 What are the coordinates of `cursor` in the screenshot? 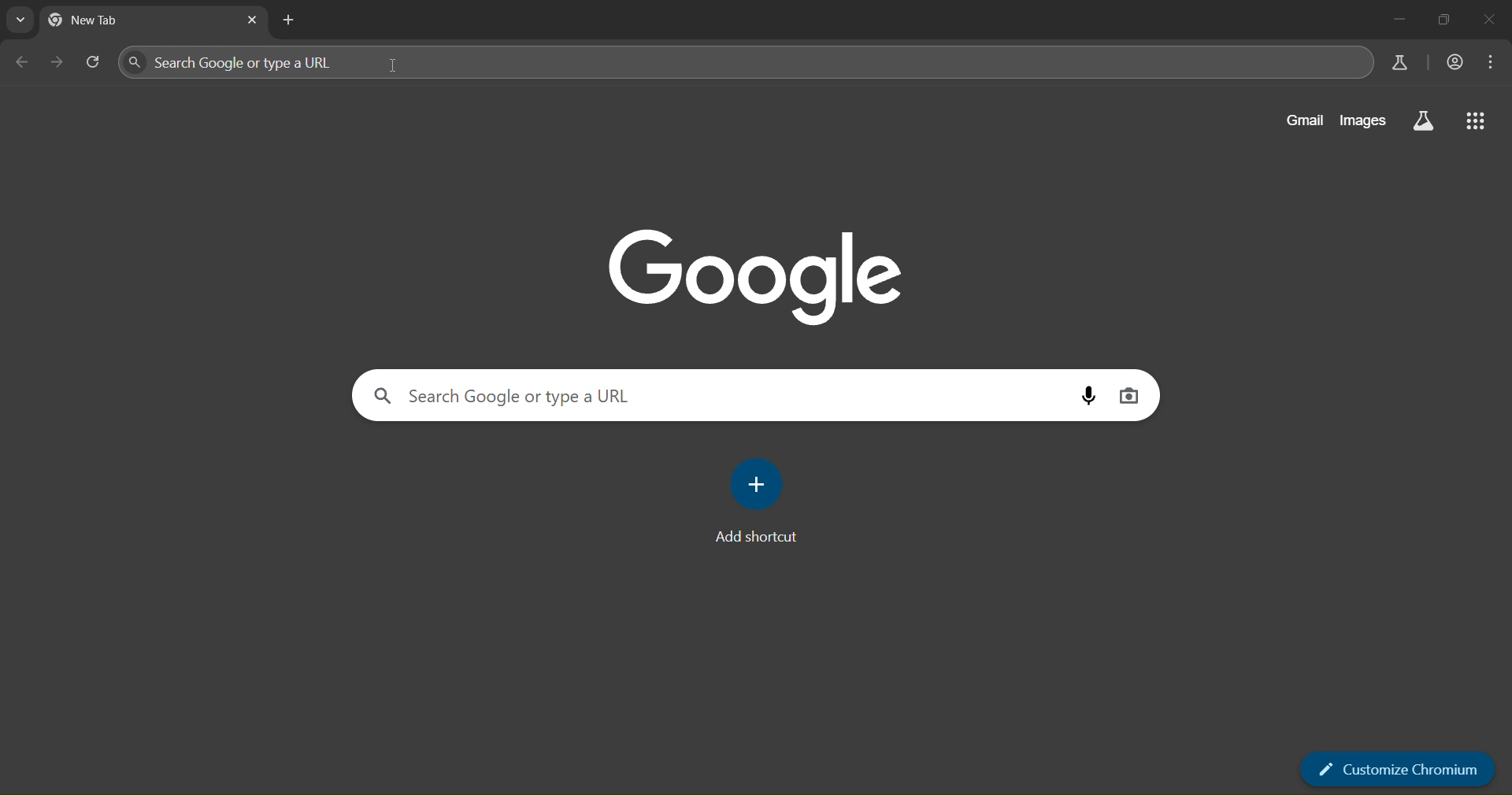 It's located at (395, 66).